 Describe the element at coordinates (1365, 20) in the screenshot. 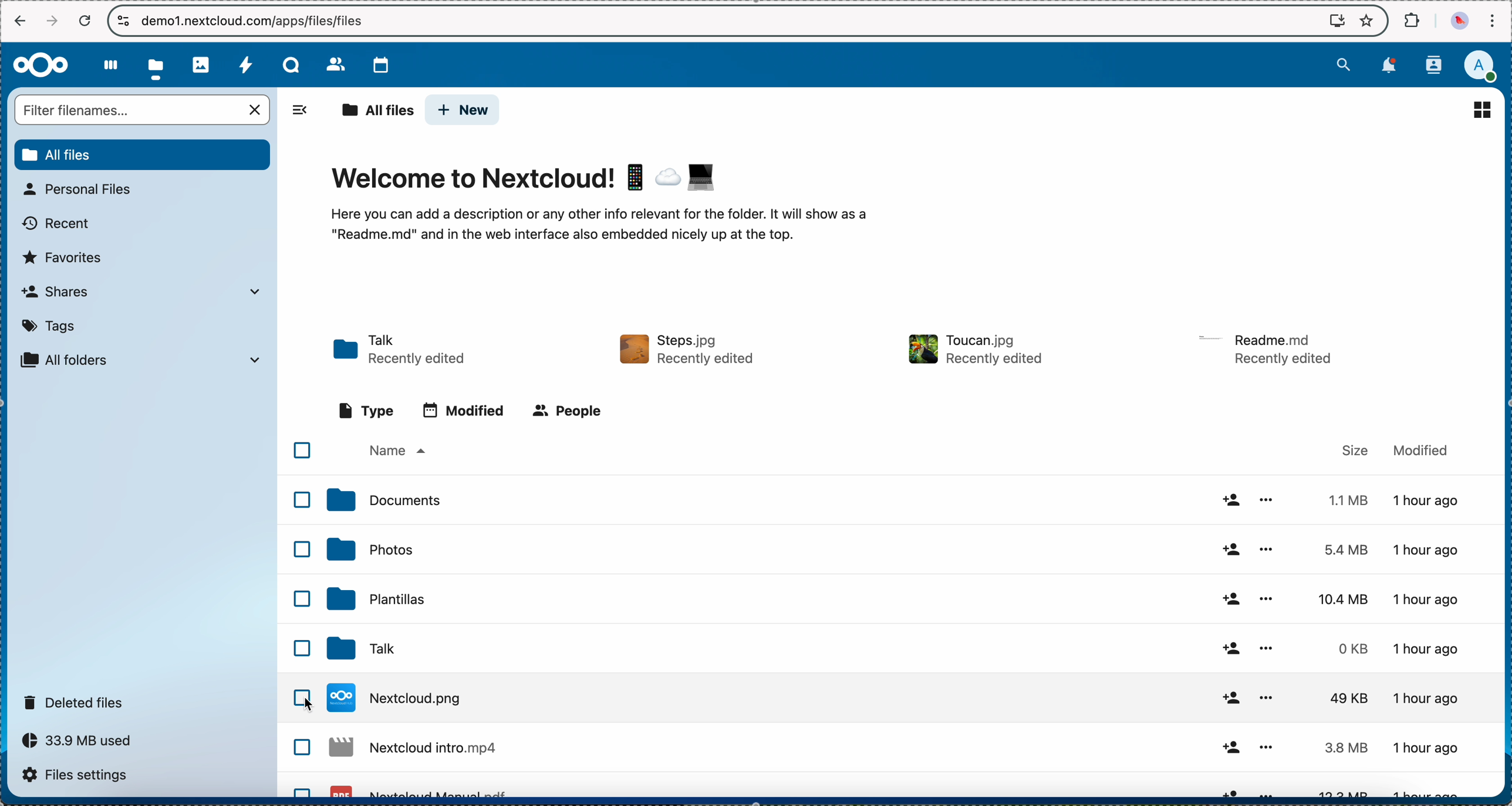

I see `favorites` at that location.